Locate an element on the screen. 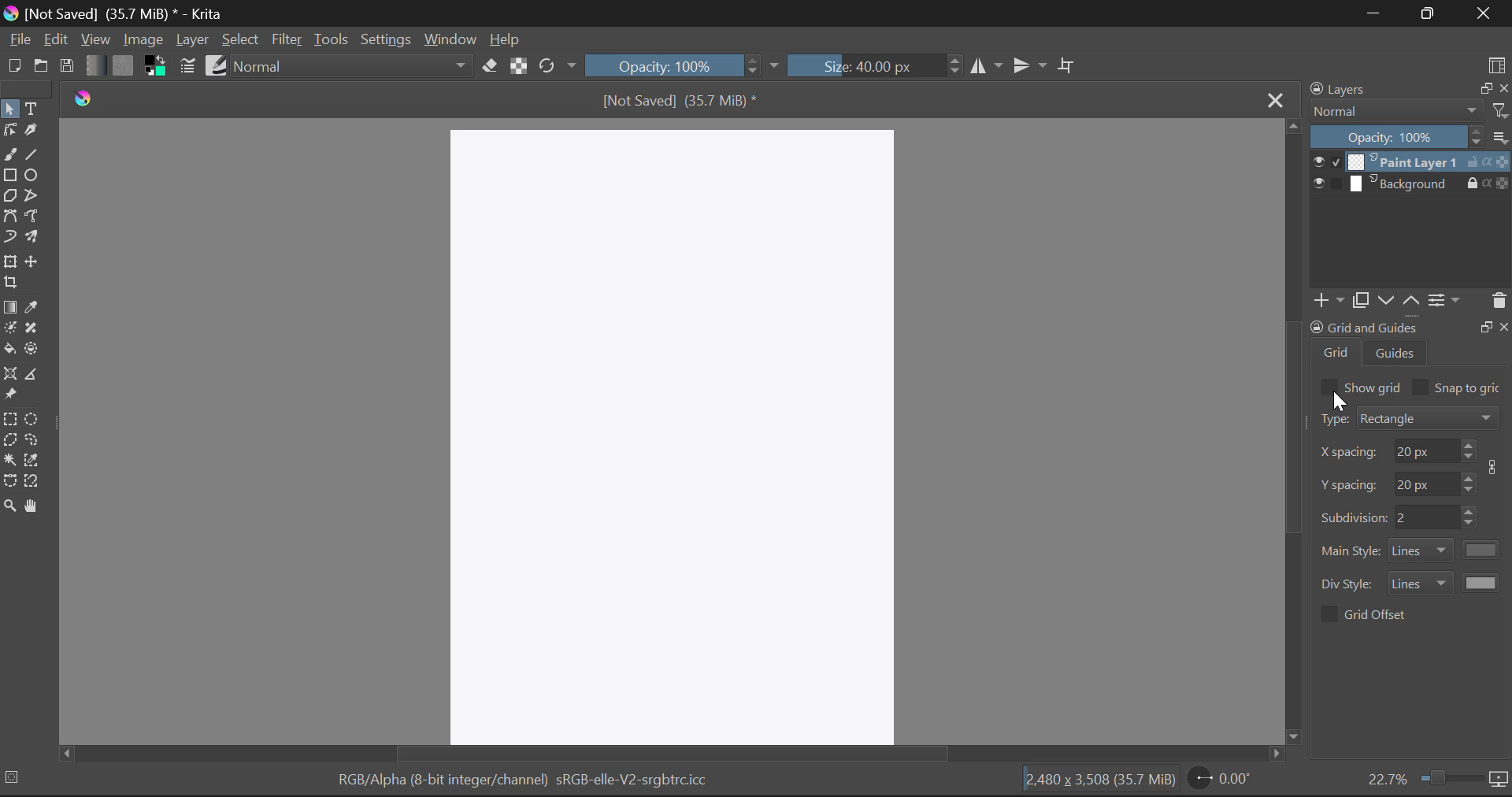 The width and height of the screenshot is (1512, 797). close is located at coordinates (1503, 88).